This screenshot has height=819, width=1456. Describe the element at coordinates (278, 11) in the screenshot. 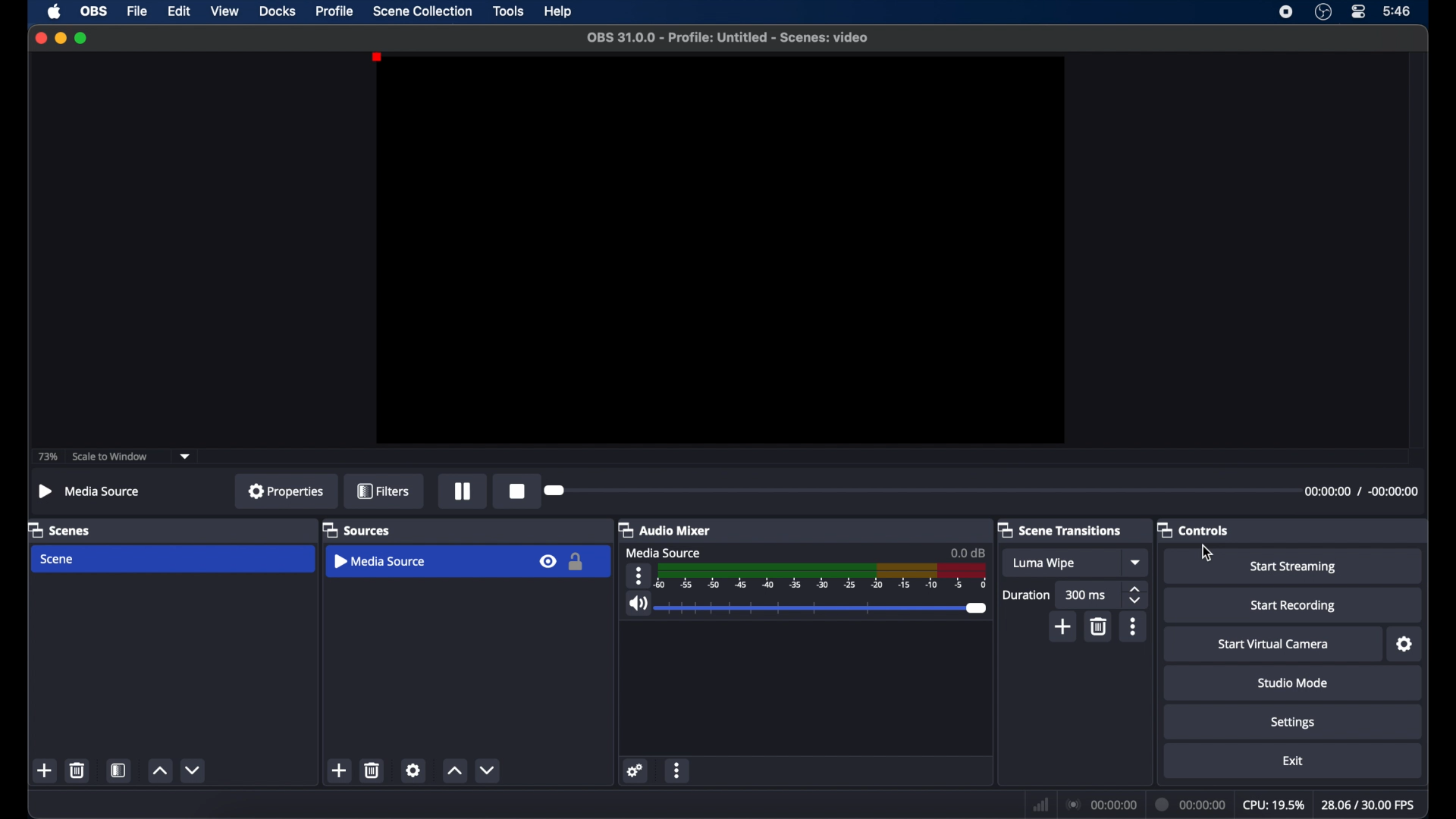

I see `docks` at that location.